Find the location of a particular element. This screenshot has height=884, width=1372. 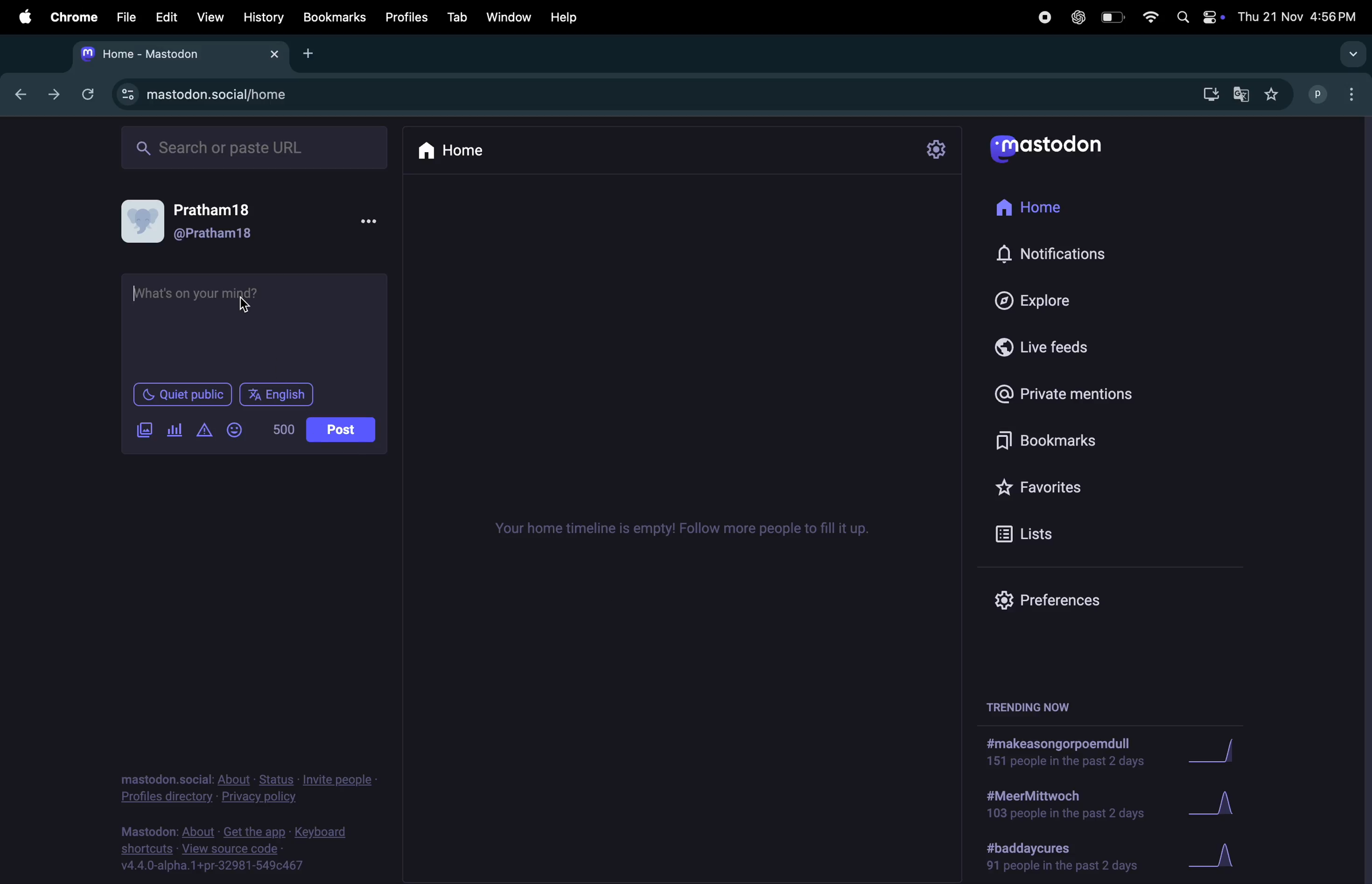

graph is located at coordinates (1213, 804).